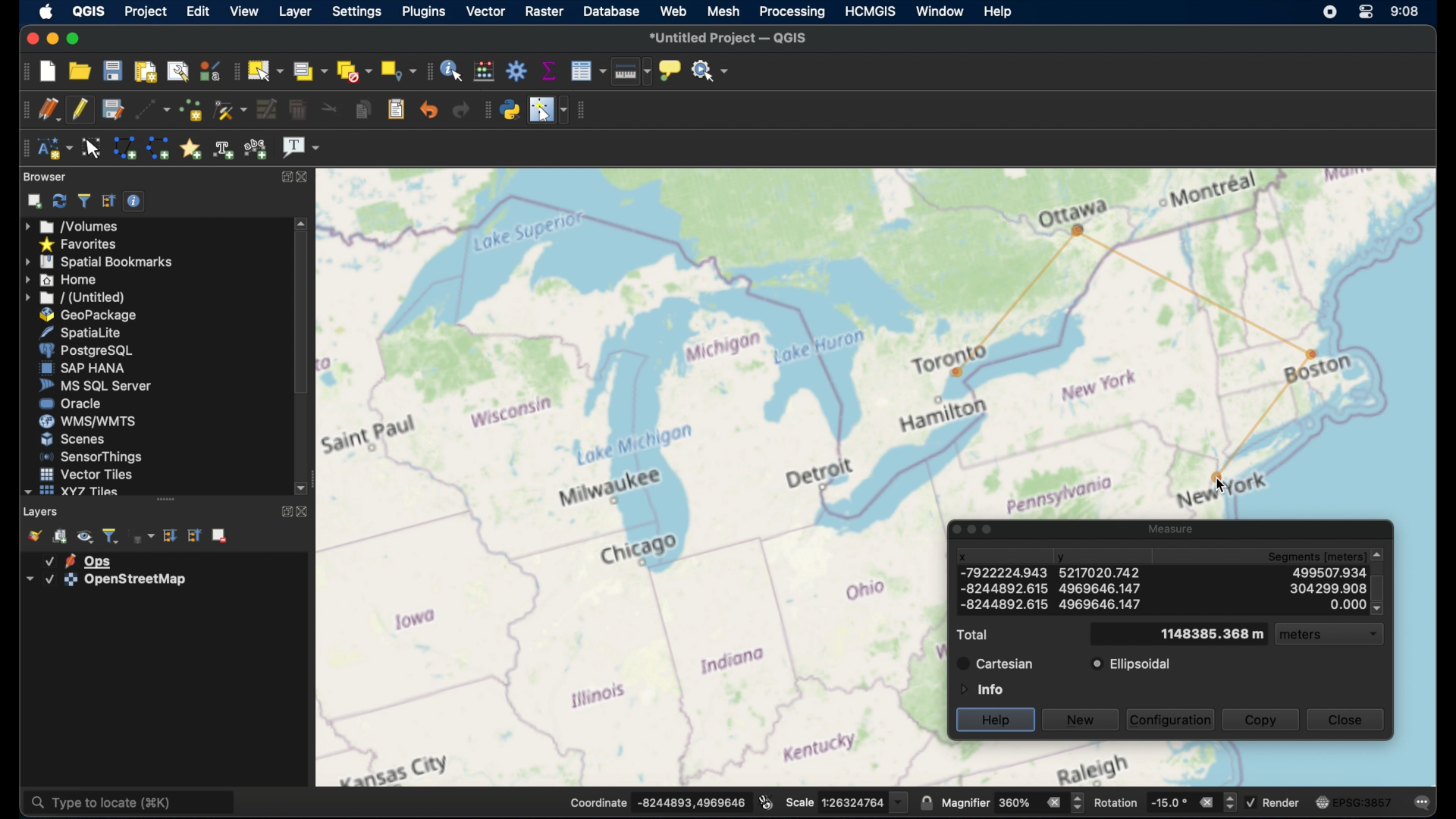 This screenshot has width=1456, height=819. What do you see at coordinates (31, 36) in the screenshot?
I see `close` at bounding box center [31, 36].